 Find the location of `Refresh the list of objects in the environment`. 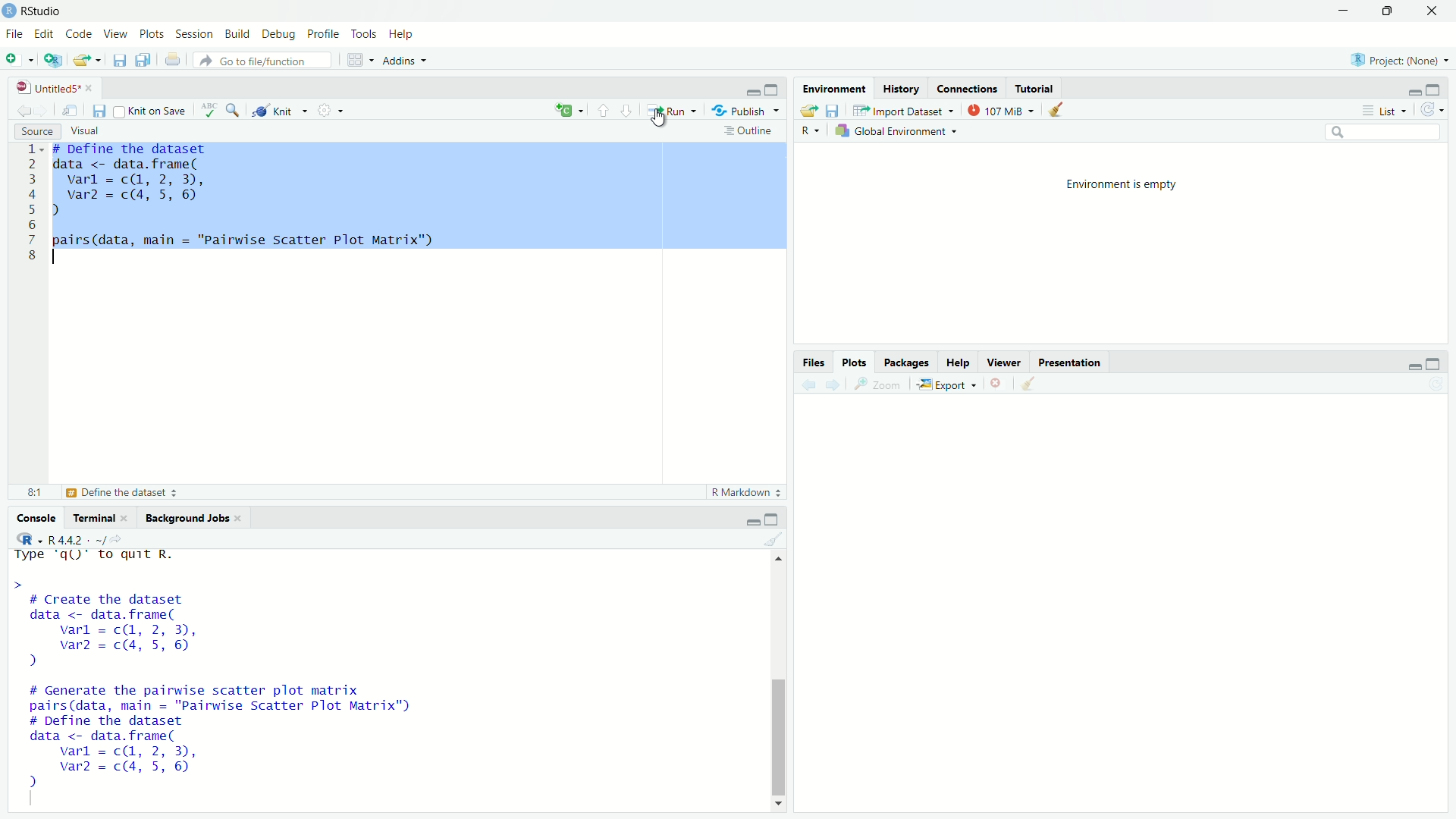

Refresh the list of objects in the environment is located at coordinates (1432, 110).